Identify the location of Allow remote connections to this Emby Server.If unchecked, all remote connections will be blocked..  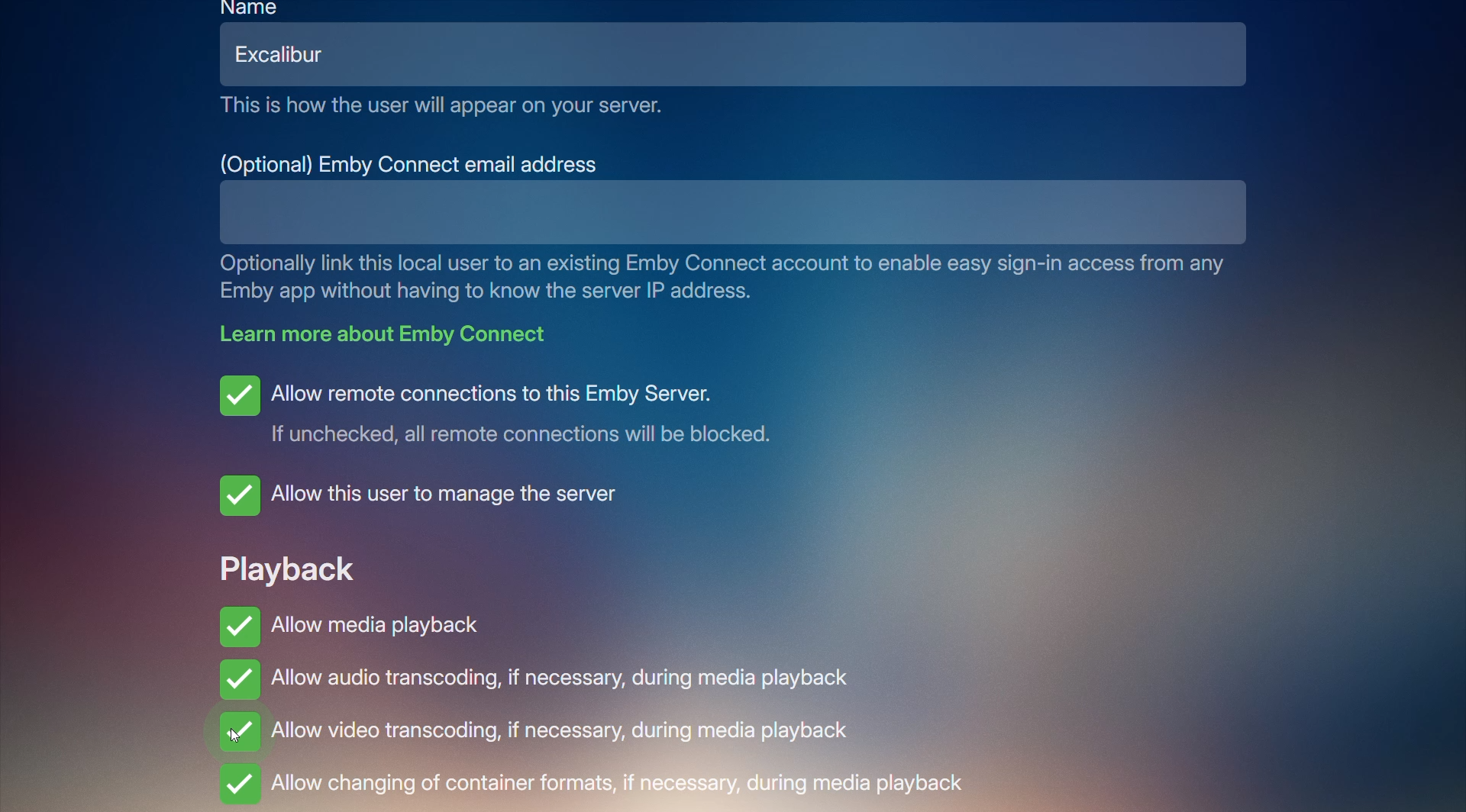
(509, 409).